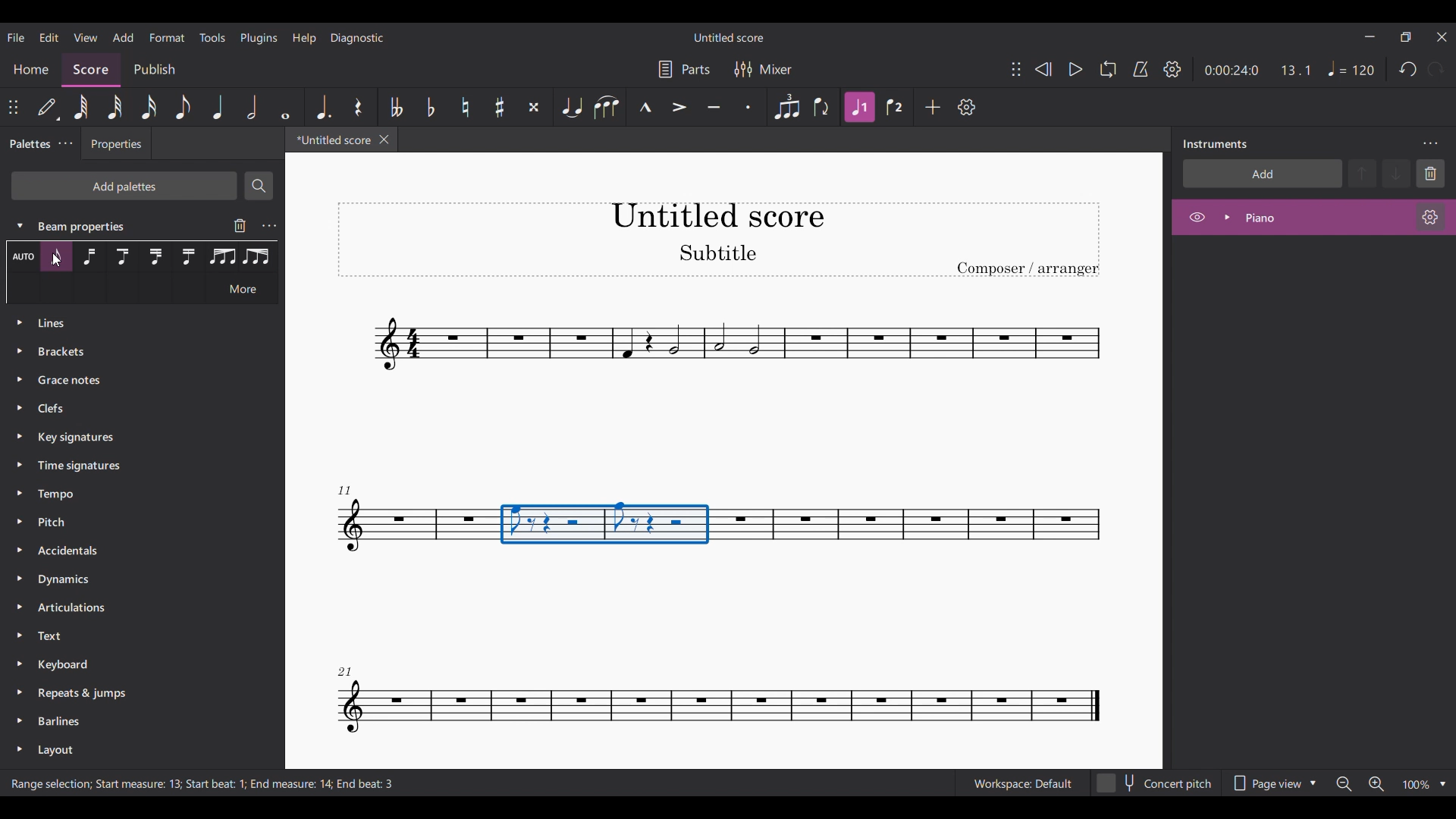 Image resolution: width=1456 pixels, height=819 pixels. I want to click on Manage parts, so click(684, 69).